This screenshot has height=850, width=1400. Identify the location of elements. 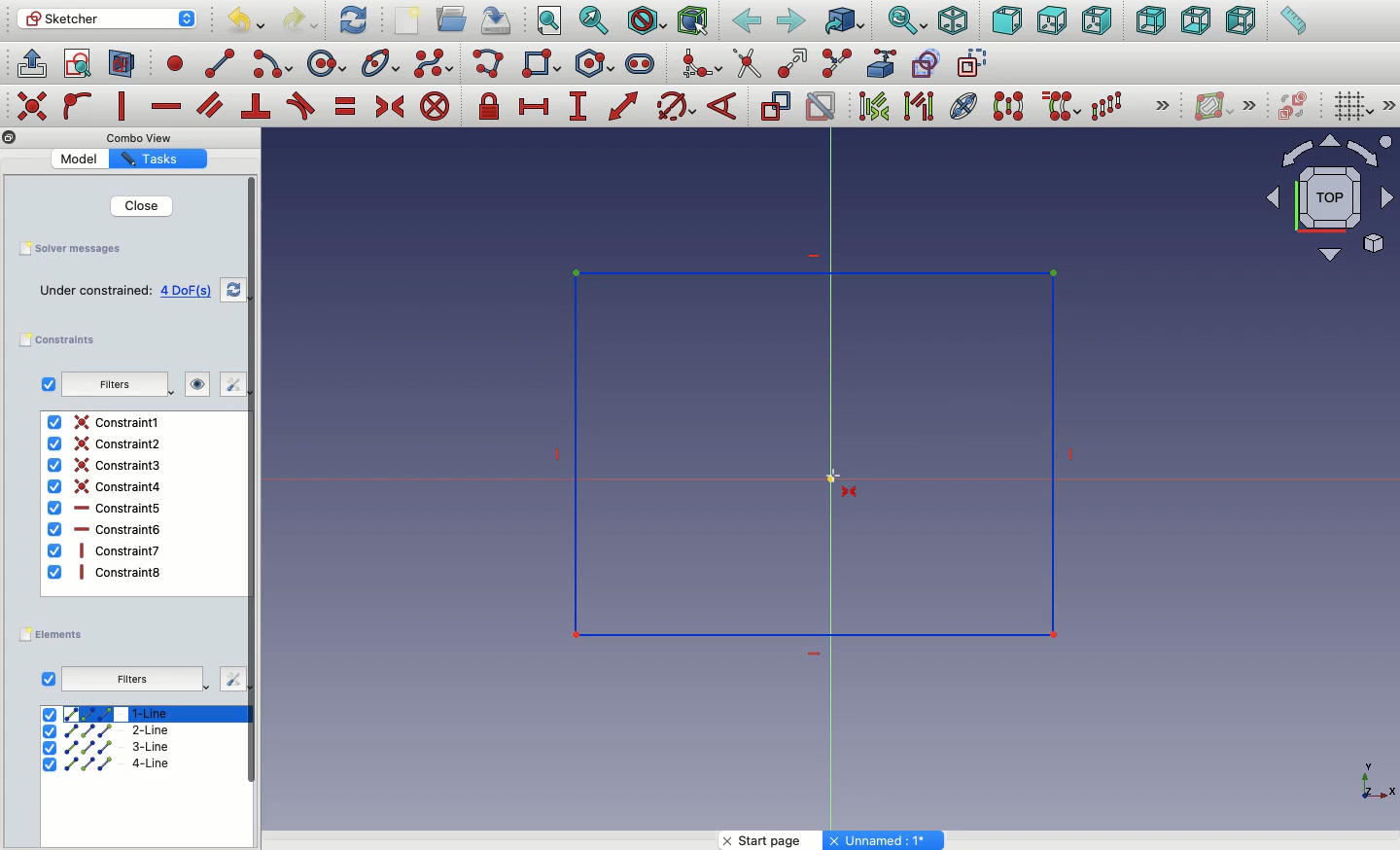
(54, 635).